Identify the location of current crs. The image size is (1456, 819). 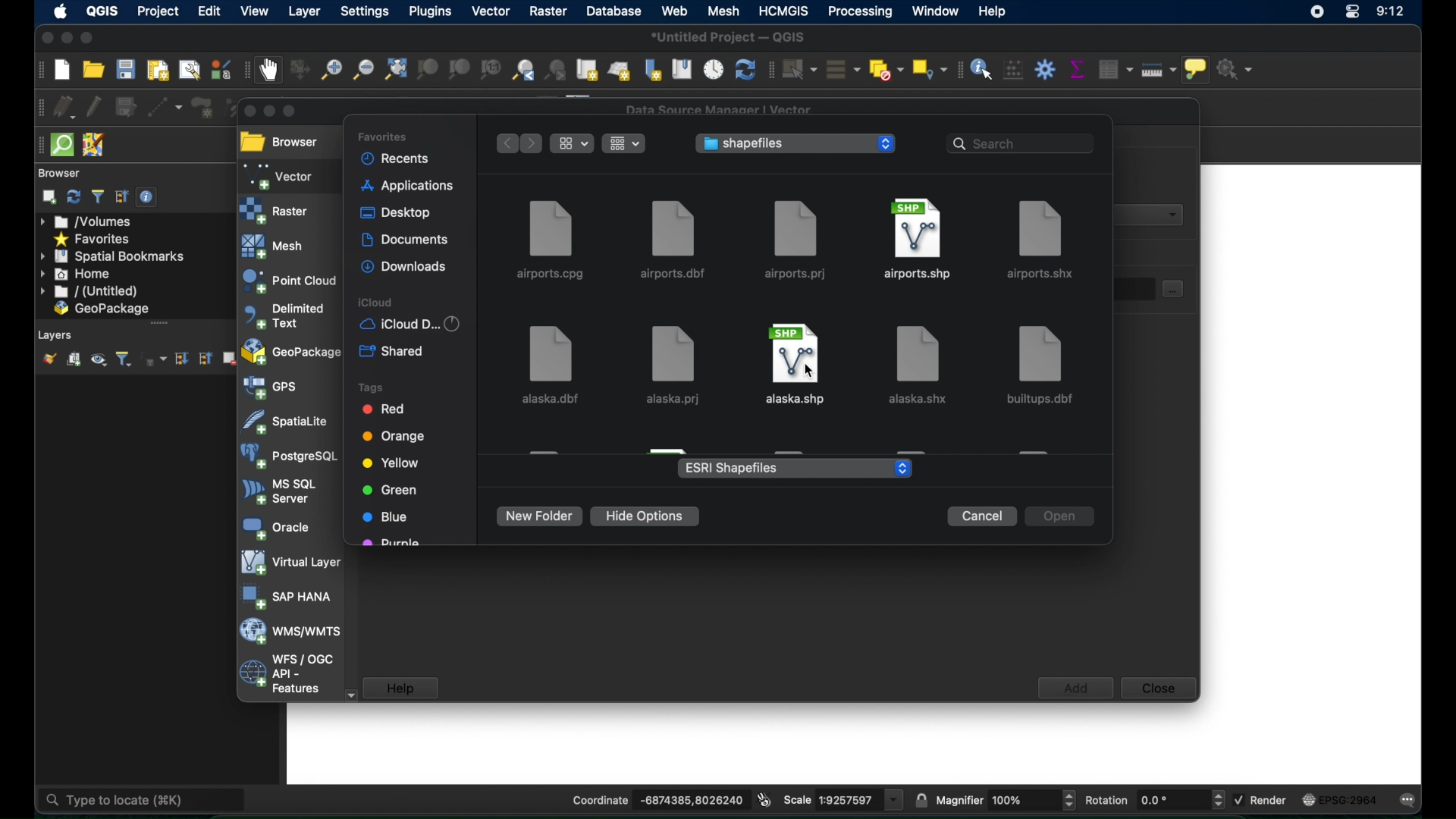
(1339, 801).